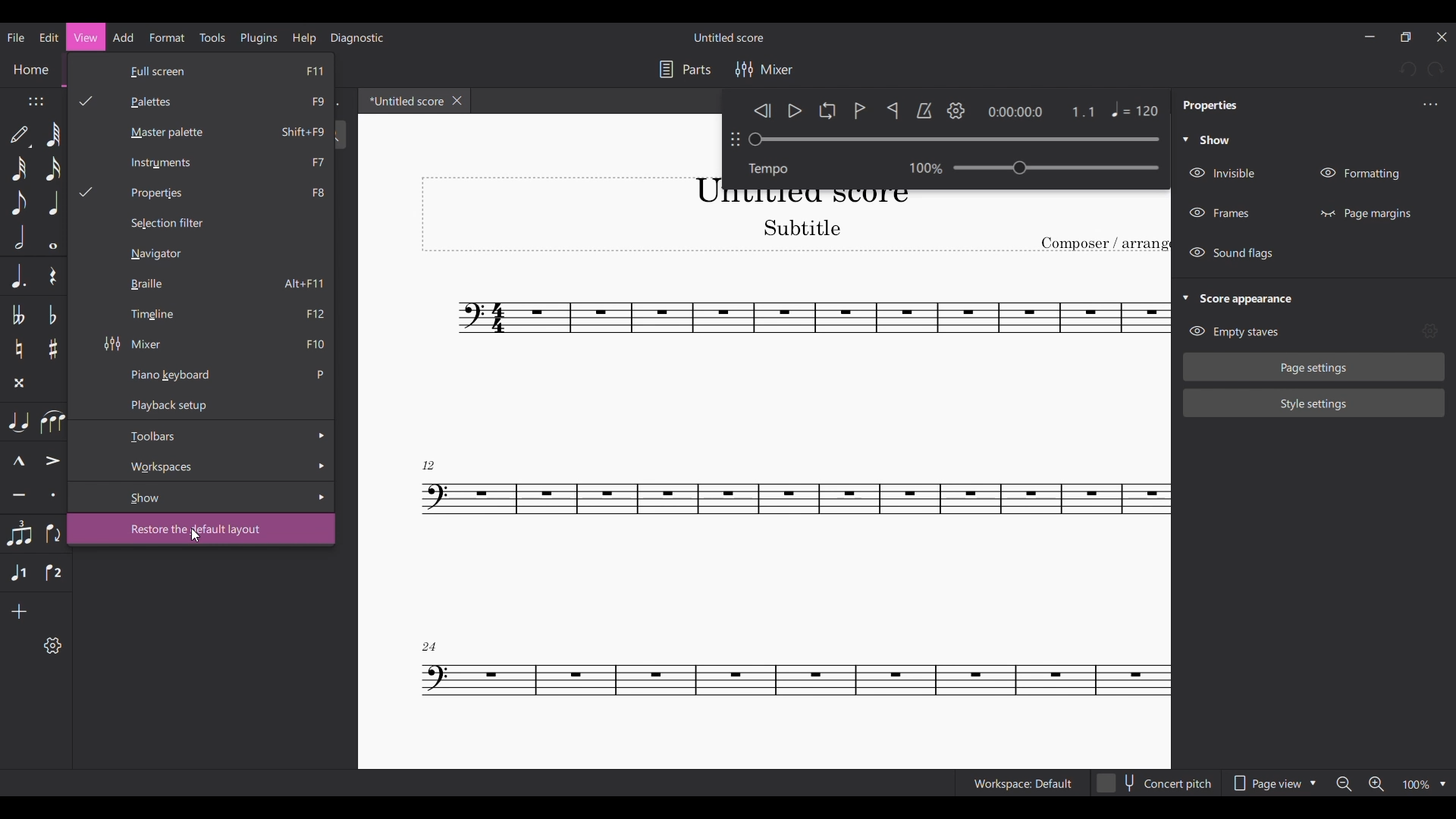 This screenshot has width=1456, height=819. I want to click on Page margins, so click(1365, 213).